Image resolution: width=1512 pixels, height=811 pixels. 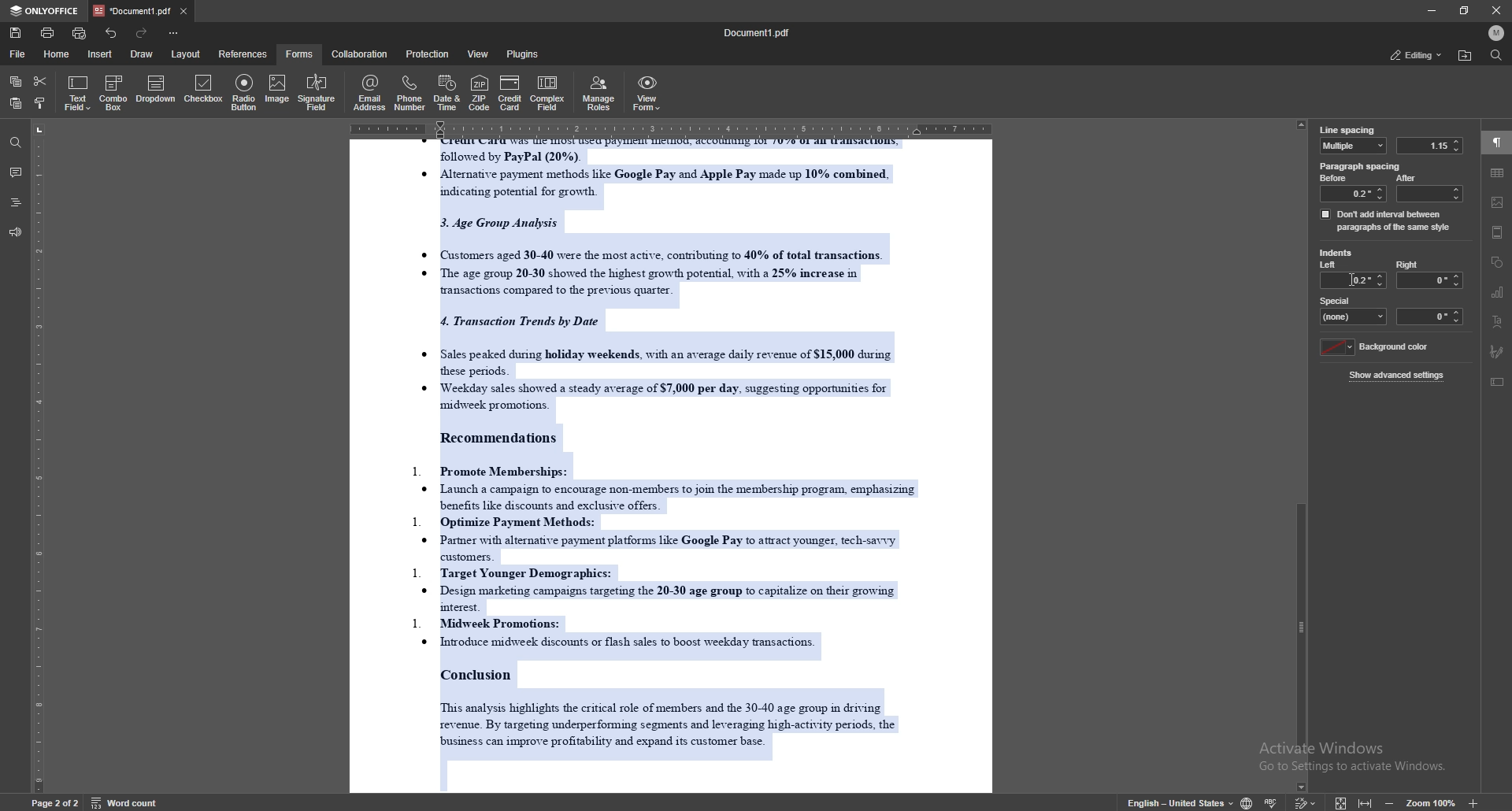 What do you see at coordinates (524, 54) in the screenshot?
I see `plugins` at bounding box center [524, 54].